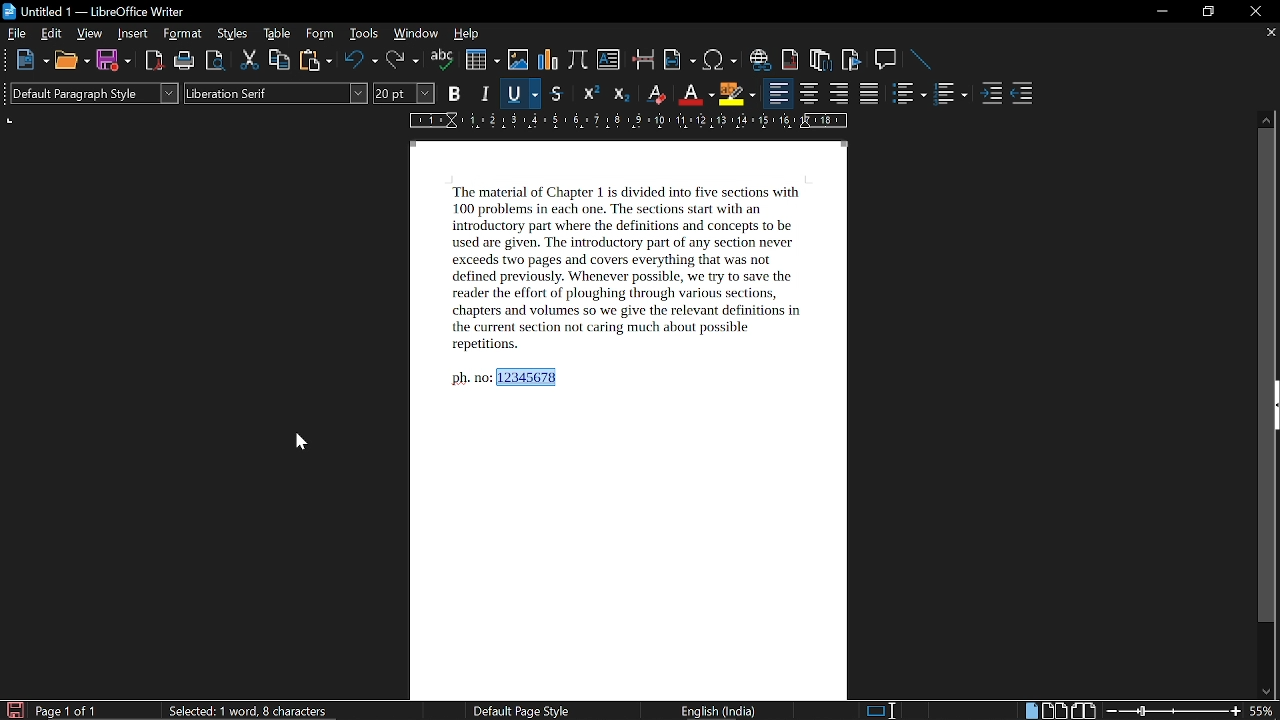  I want to click on font color, so click(694, 95).